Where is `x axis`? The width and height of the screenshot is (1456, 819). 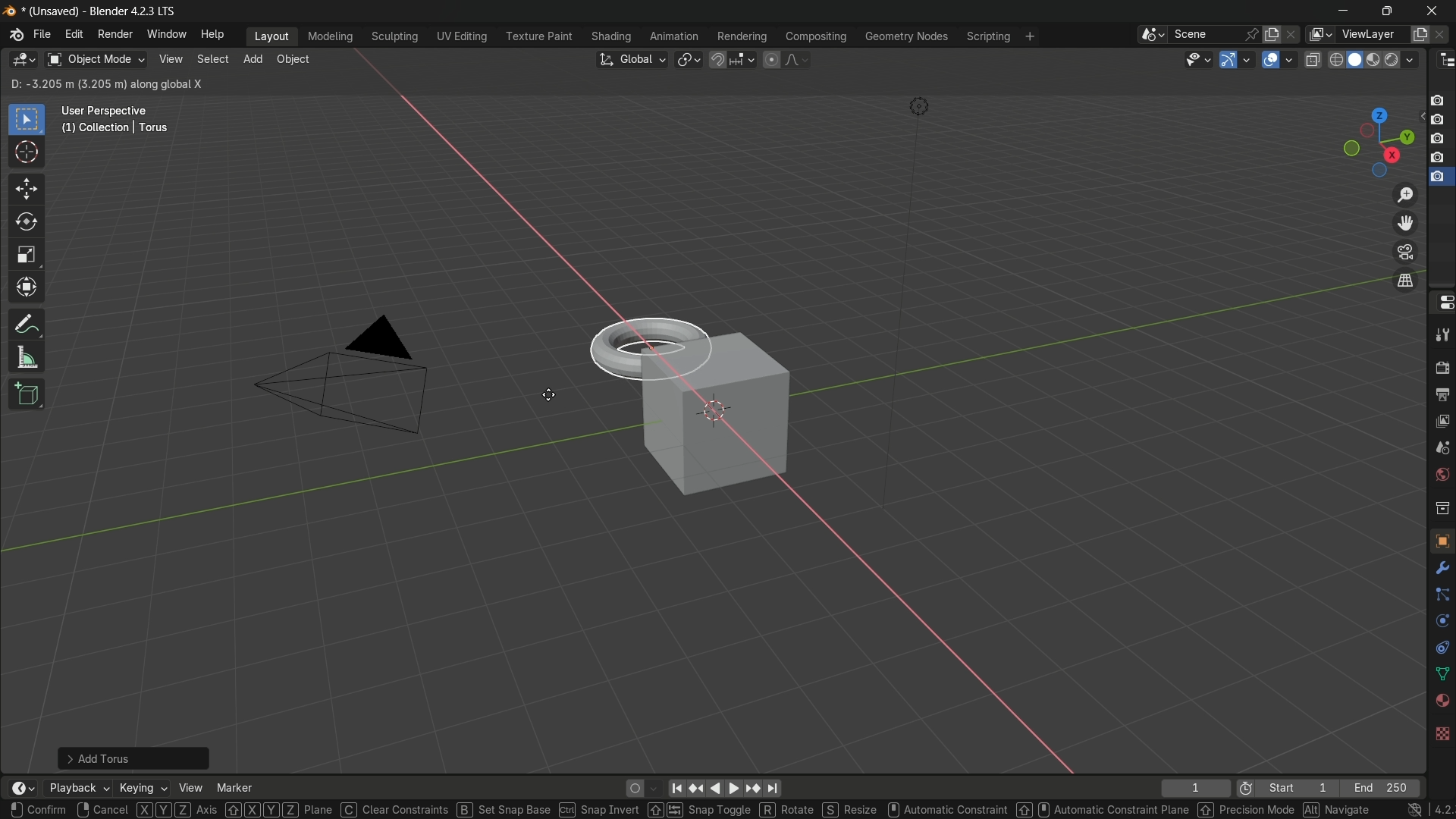 x axis is located at coordinates (503, 196).